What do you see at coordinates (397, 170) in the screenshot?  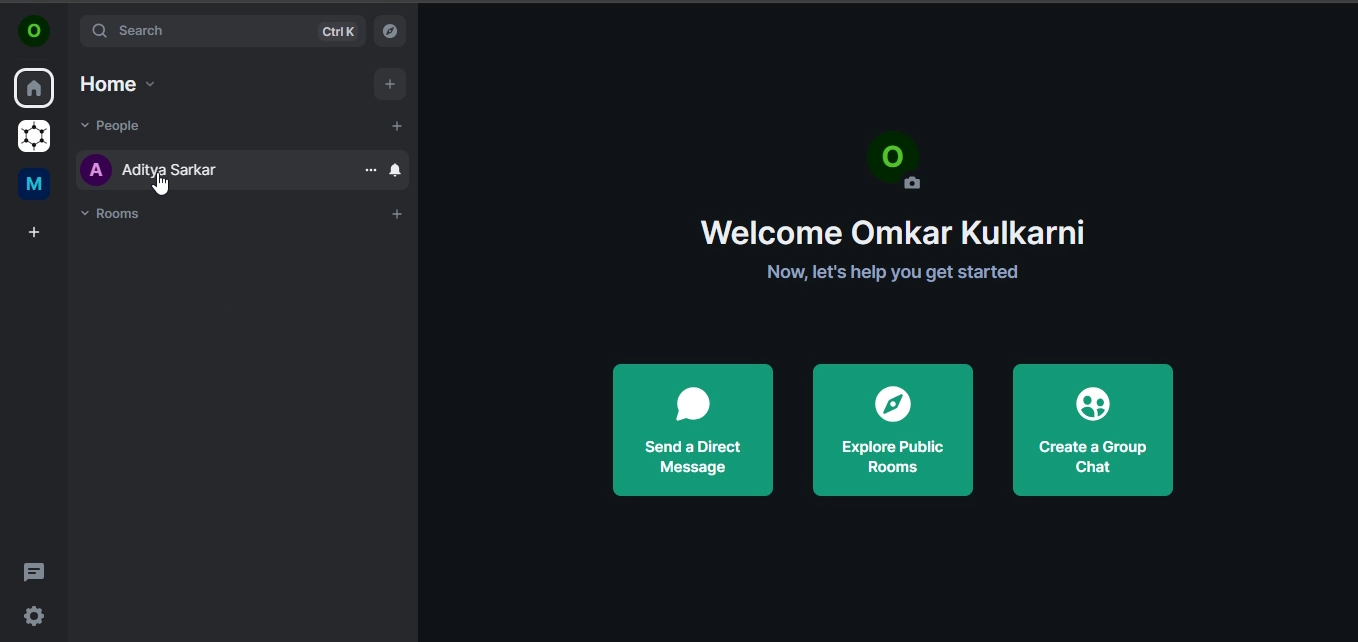 I see `notifications` at bounding box center [397, 170].